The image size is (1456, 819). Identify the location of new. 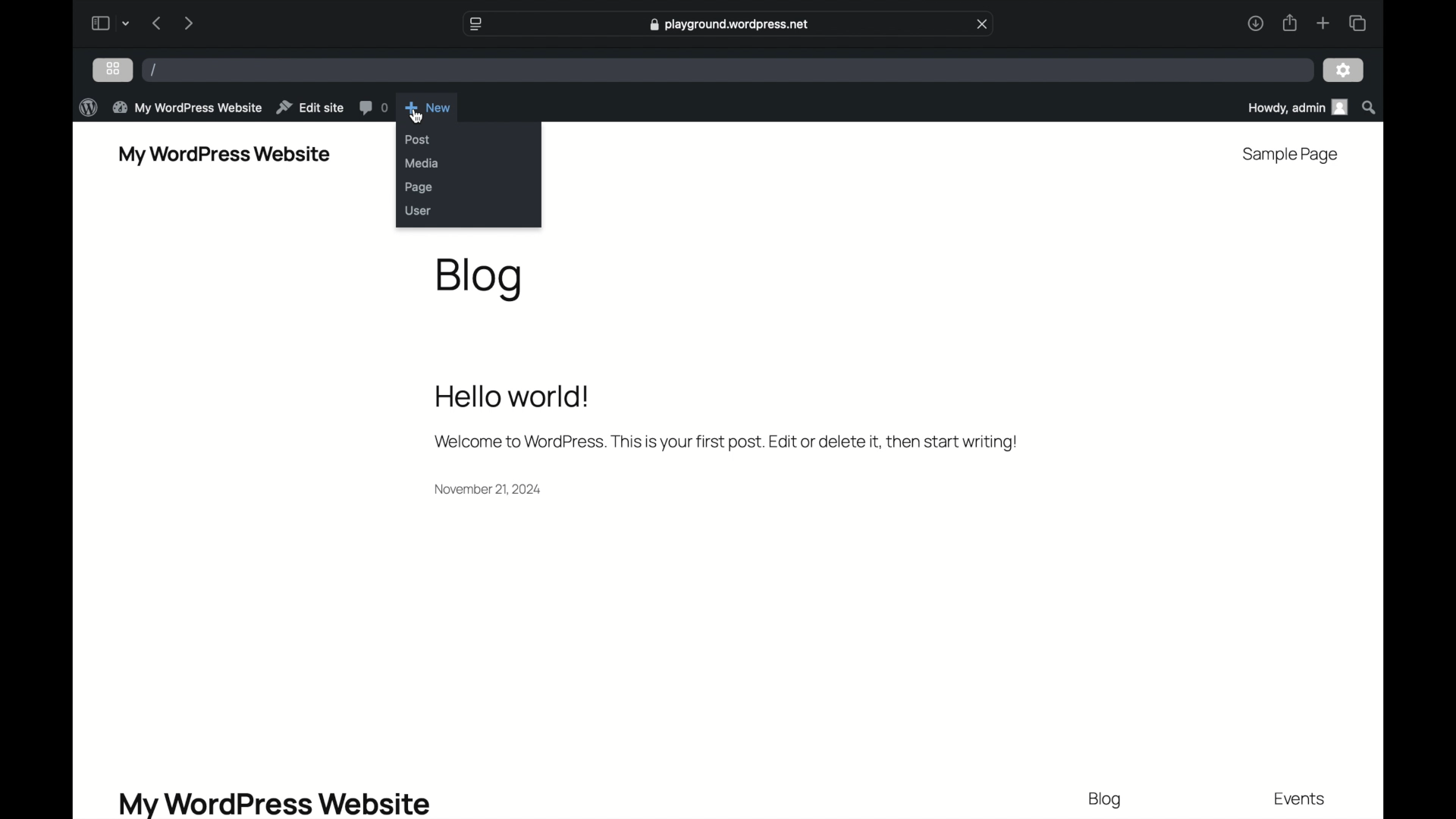
(428, 106).